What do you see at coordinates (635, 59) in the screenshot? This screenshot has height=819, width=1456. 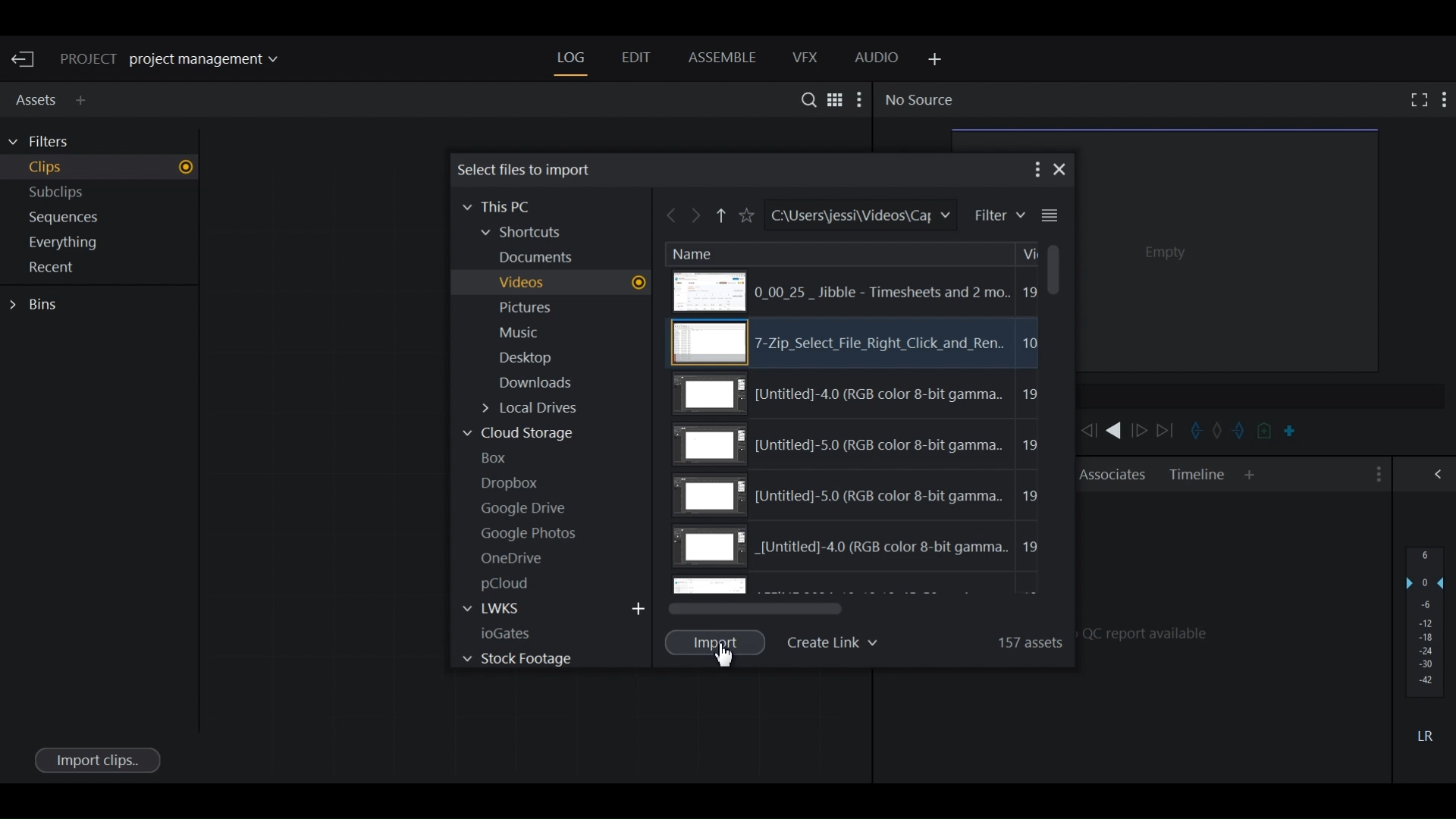 I see `Edit` at bounding box center [635, 59].